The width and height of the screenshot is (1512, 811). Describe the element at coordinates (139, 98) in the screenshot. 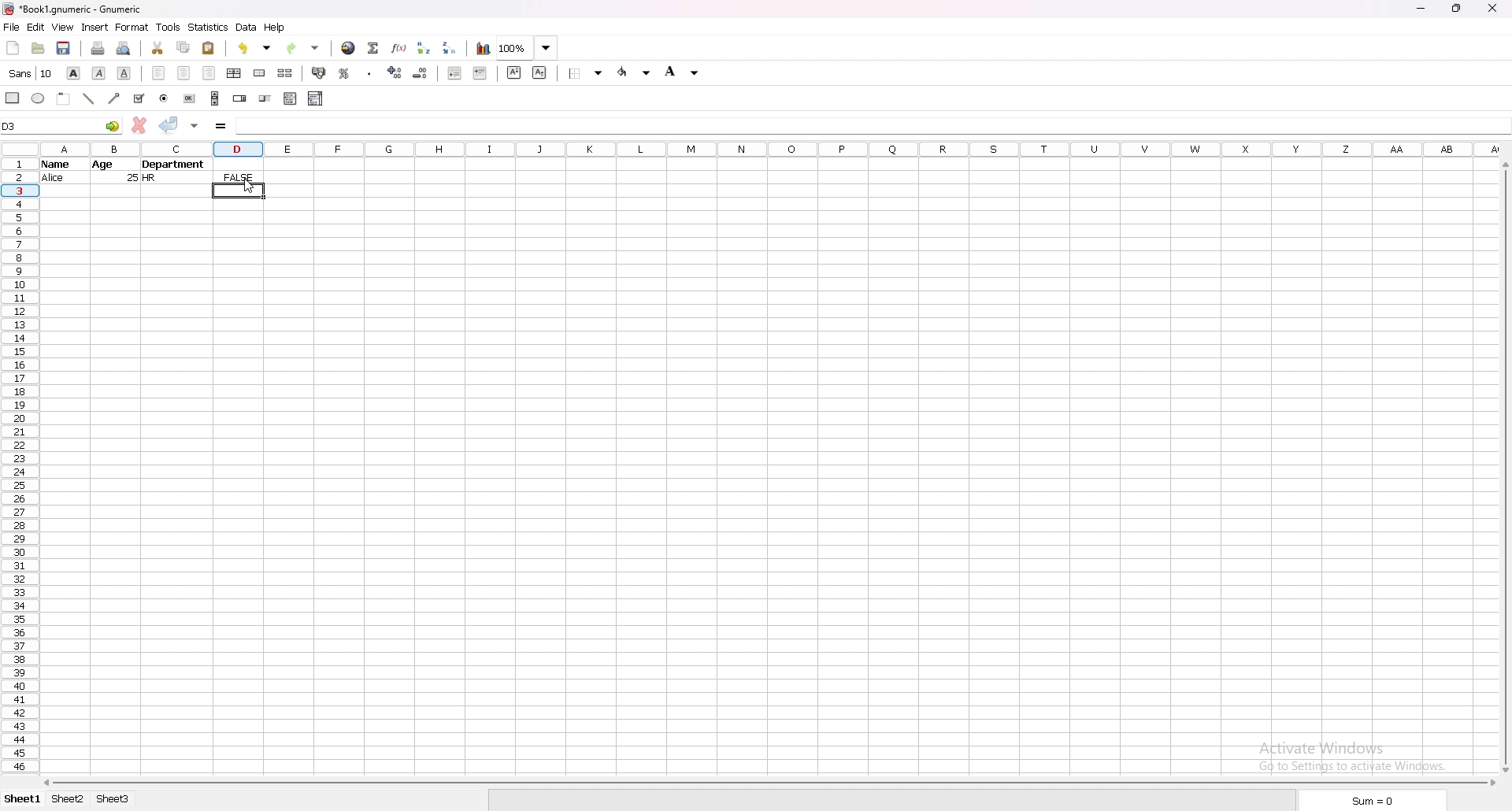

I see `tickbox` at that location.